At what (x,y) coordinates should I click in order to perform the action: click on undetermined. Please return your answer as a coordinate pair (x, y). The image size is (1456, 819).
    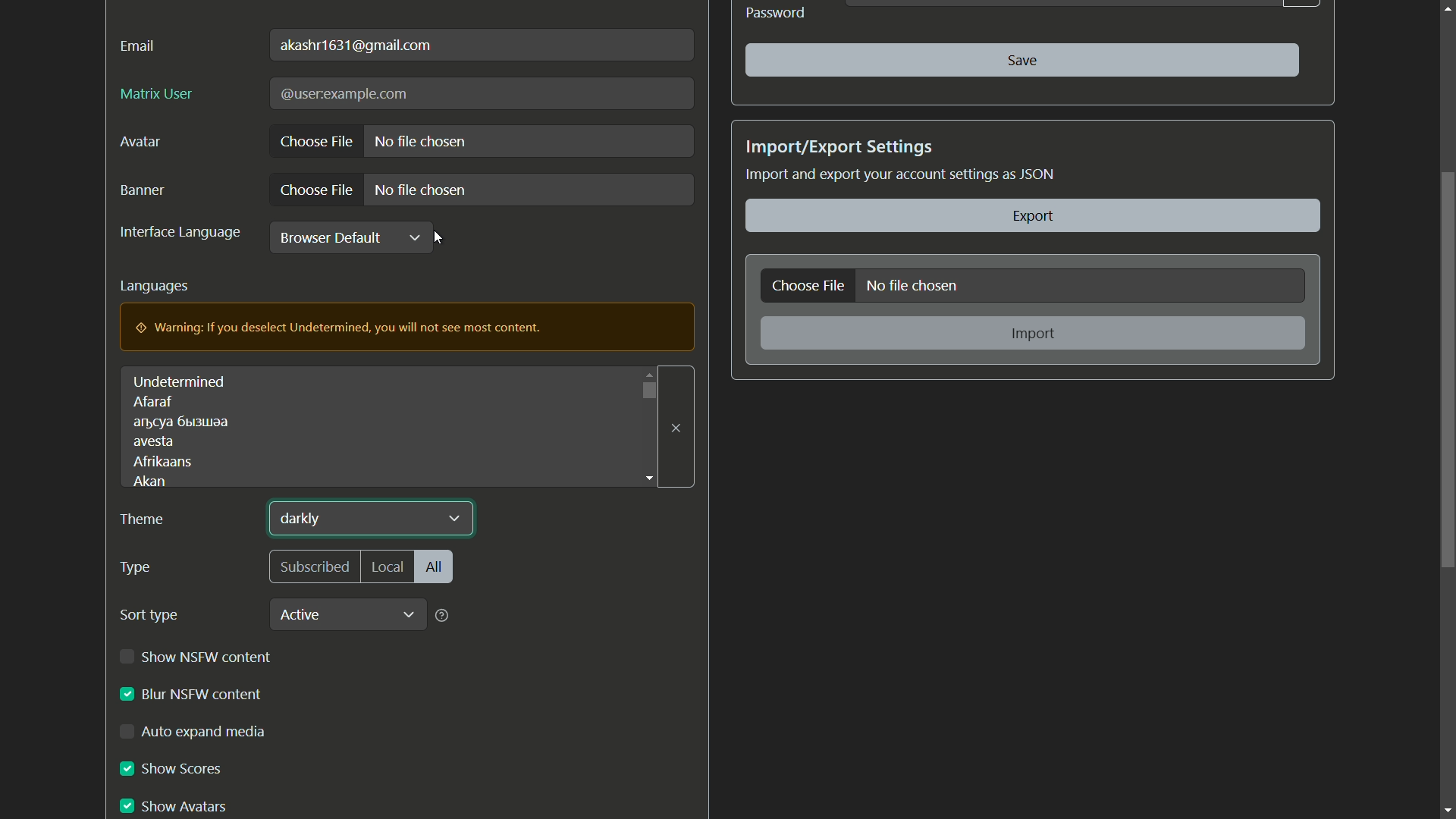
    Looking at the image, I should click on (179, 381).